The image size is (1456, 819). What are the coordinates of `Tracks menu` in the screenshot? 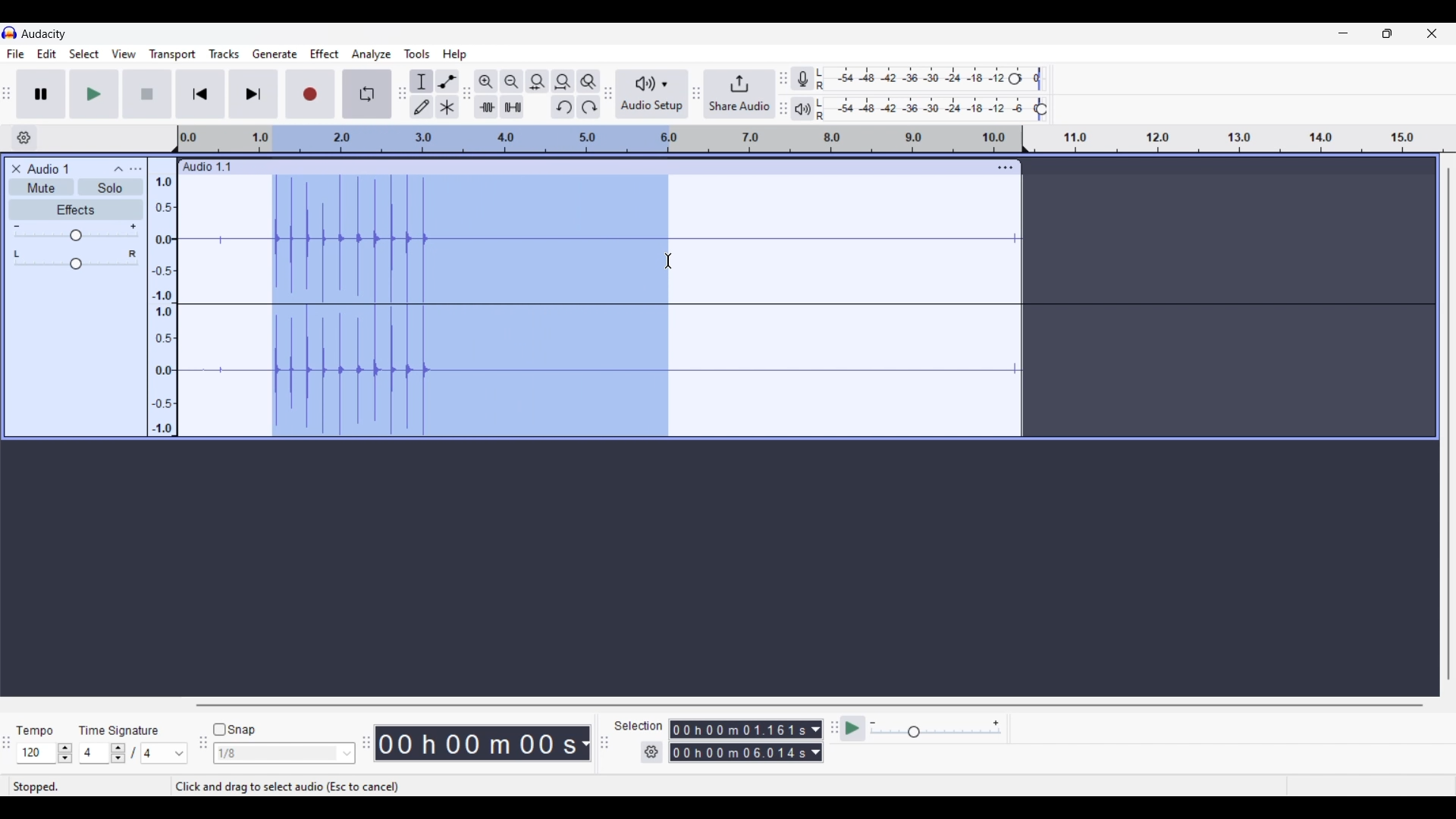 It's located at (224, 54).